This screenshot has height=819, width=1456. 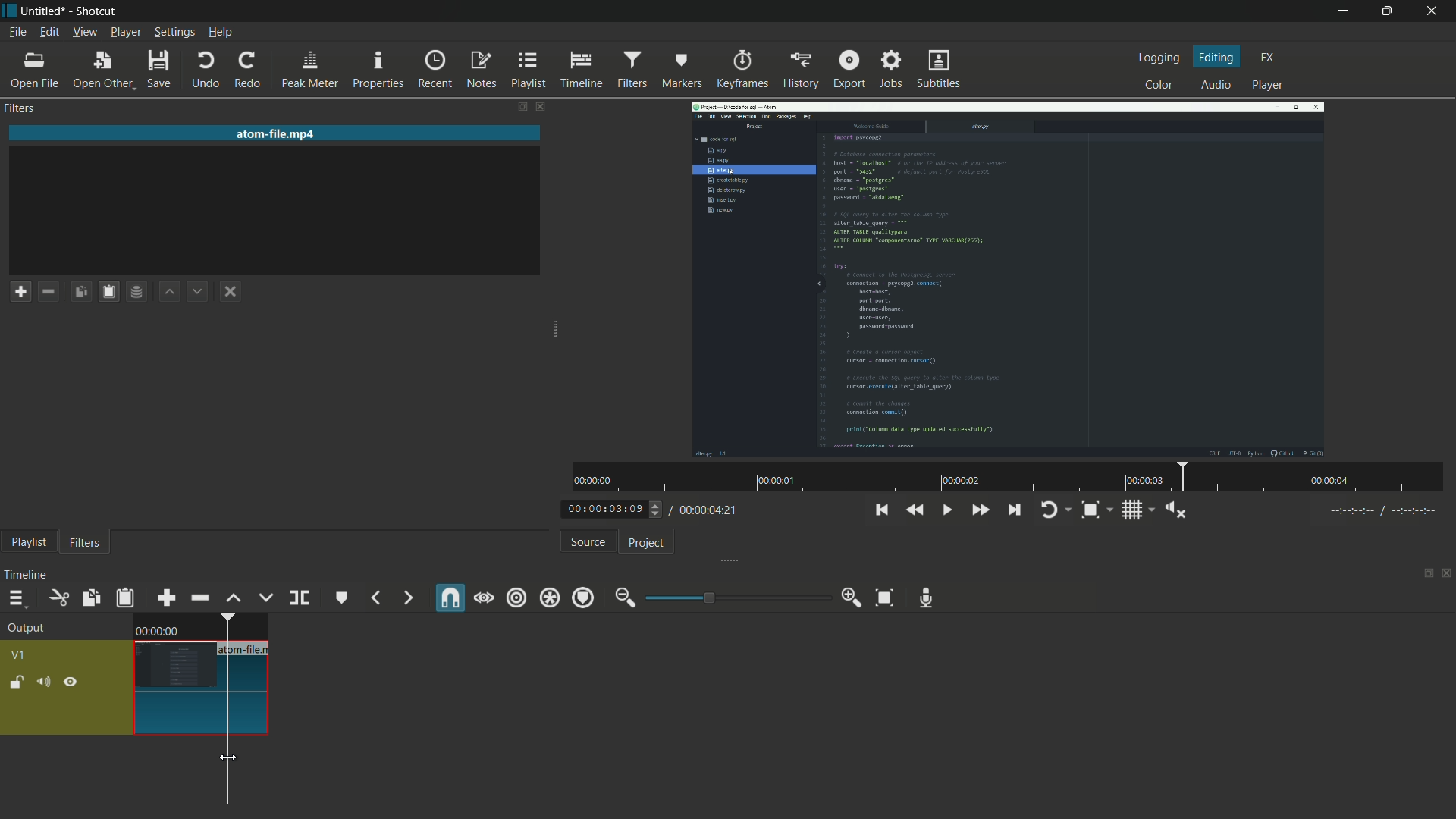 I want to click on previous marker, so click(x=375, y=598).